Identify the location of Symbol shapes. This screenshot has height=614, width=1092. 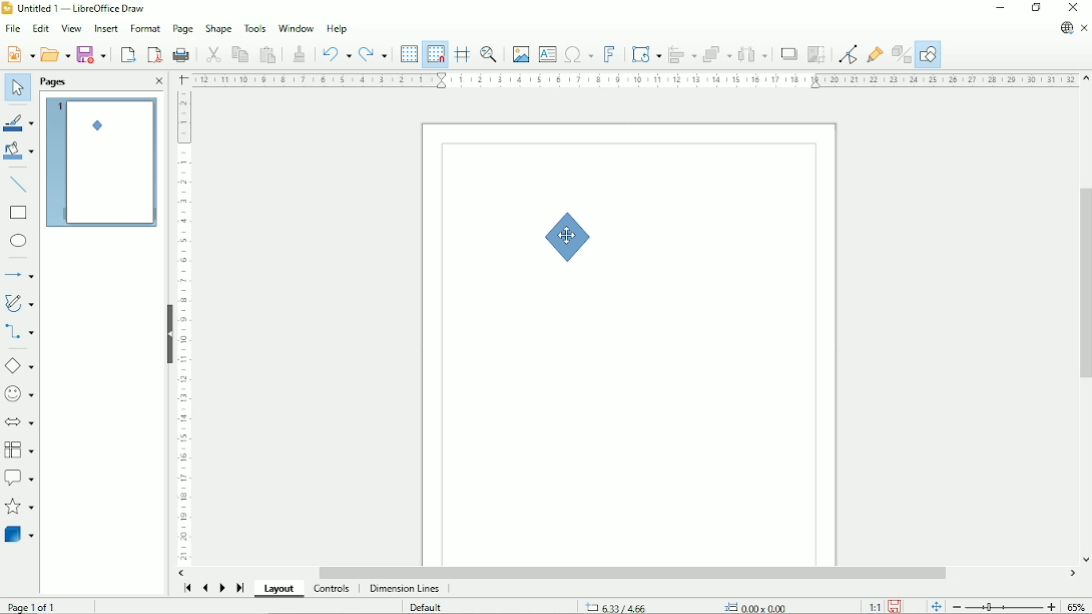
(20, 393).